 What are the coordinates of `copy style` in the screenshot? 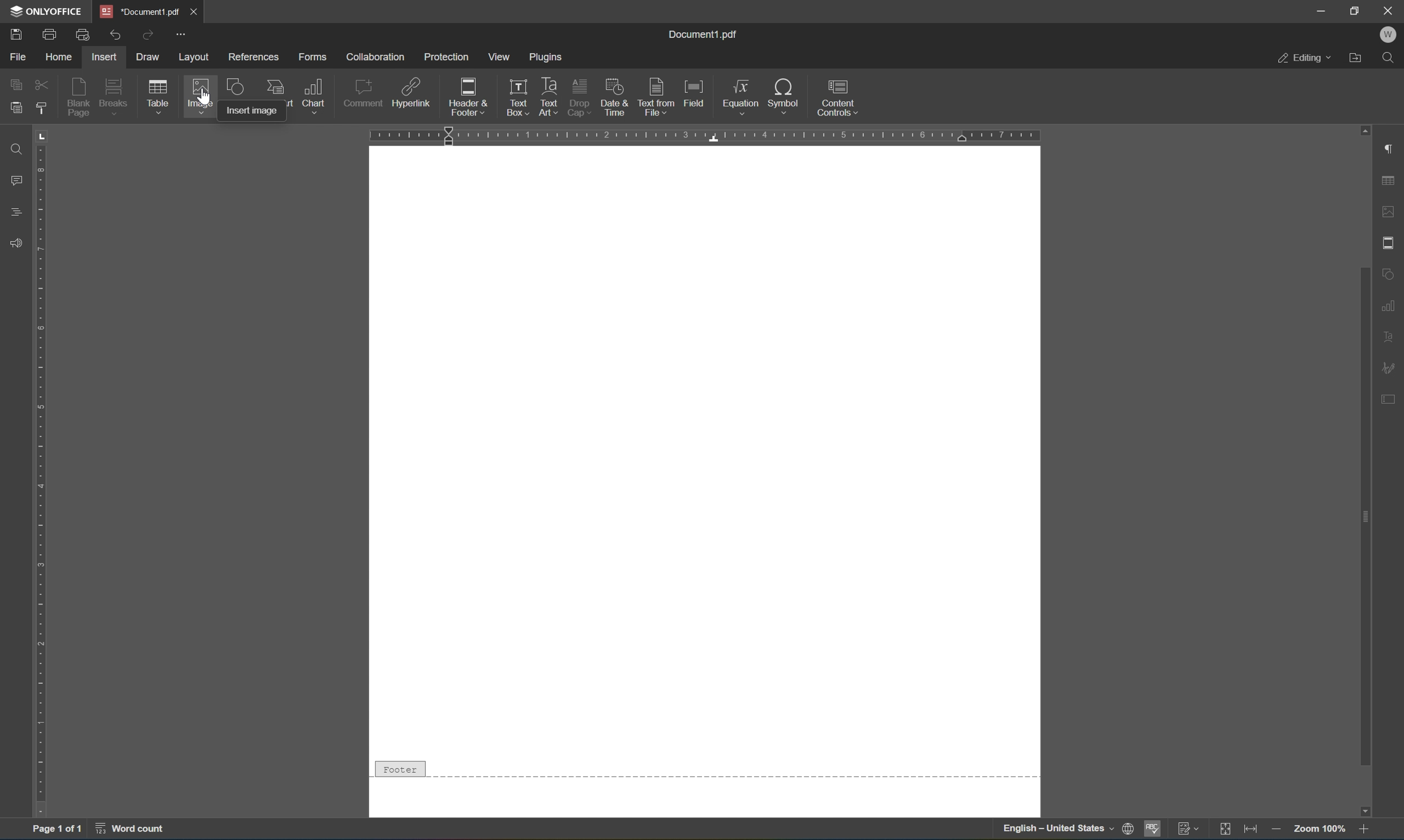 It's located at (40, 107).